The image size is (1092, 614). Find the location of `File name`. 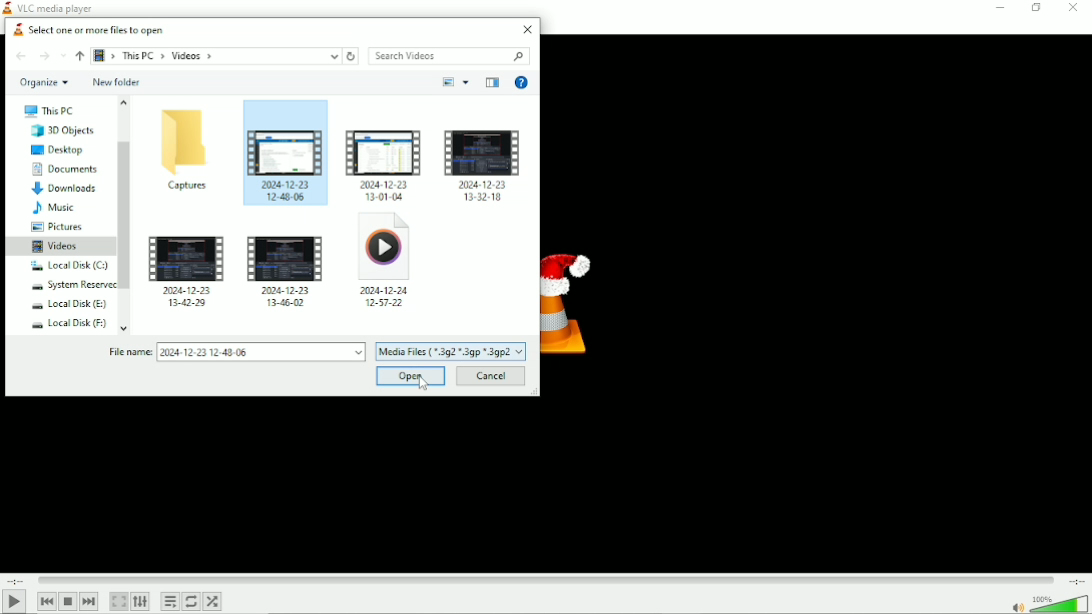

File name is located at coordinates (235, 352).